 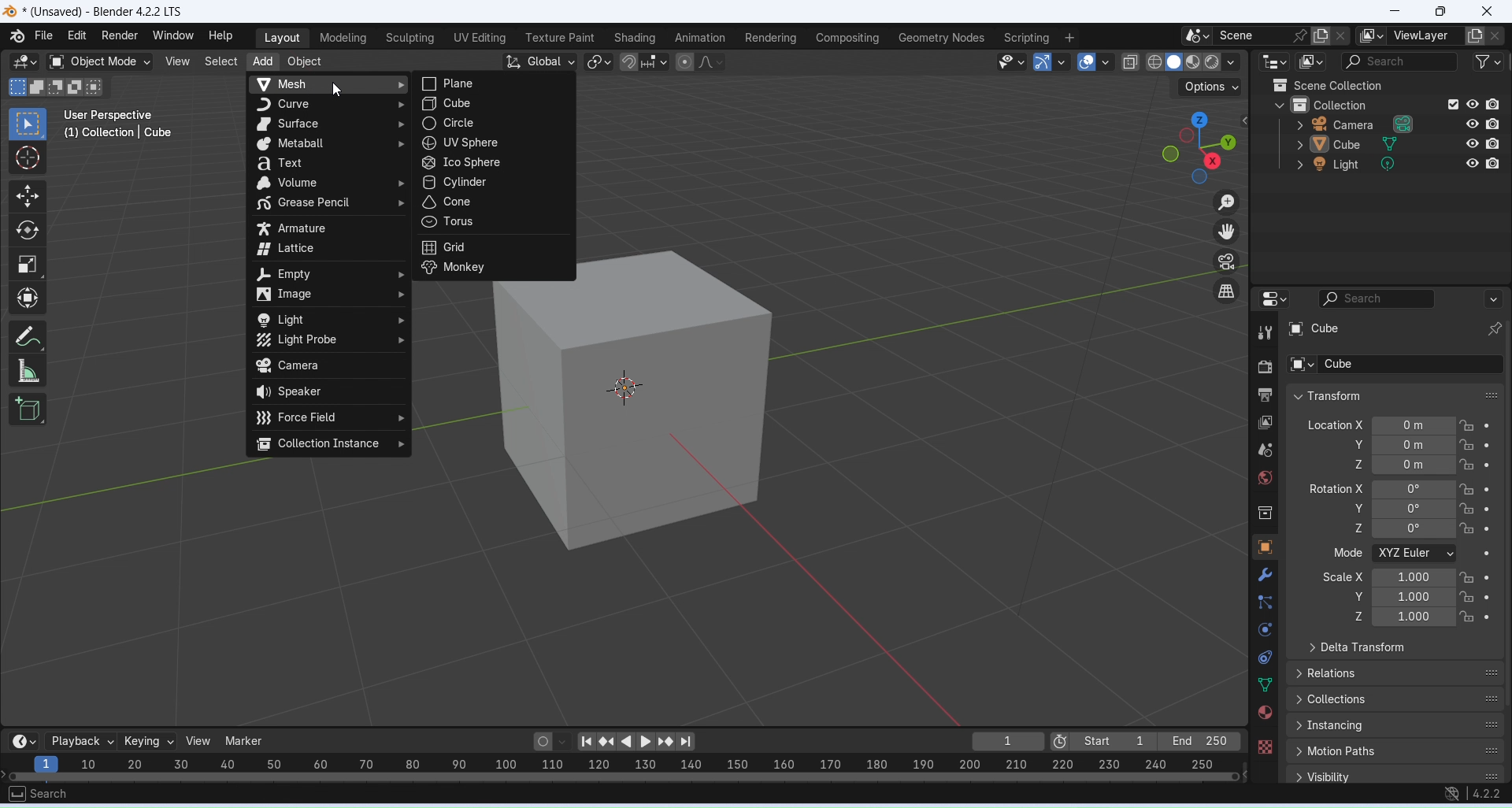 What do you see at coordinates (1358, 509) in the screenshot?
I see `Rotation Y axis` at bounding box center [1358, 509].